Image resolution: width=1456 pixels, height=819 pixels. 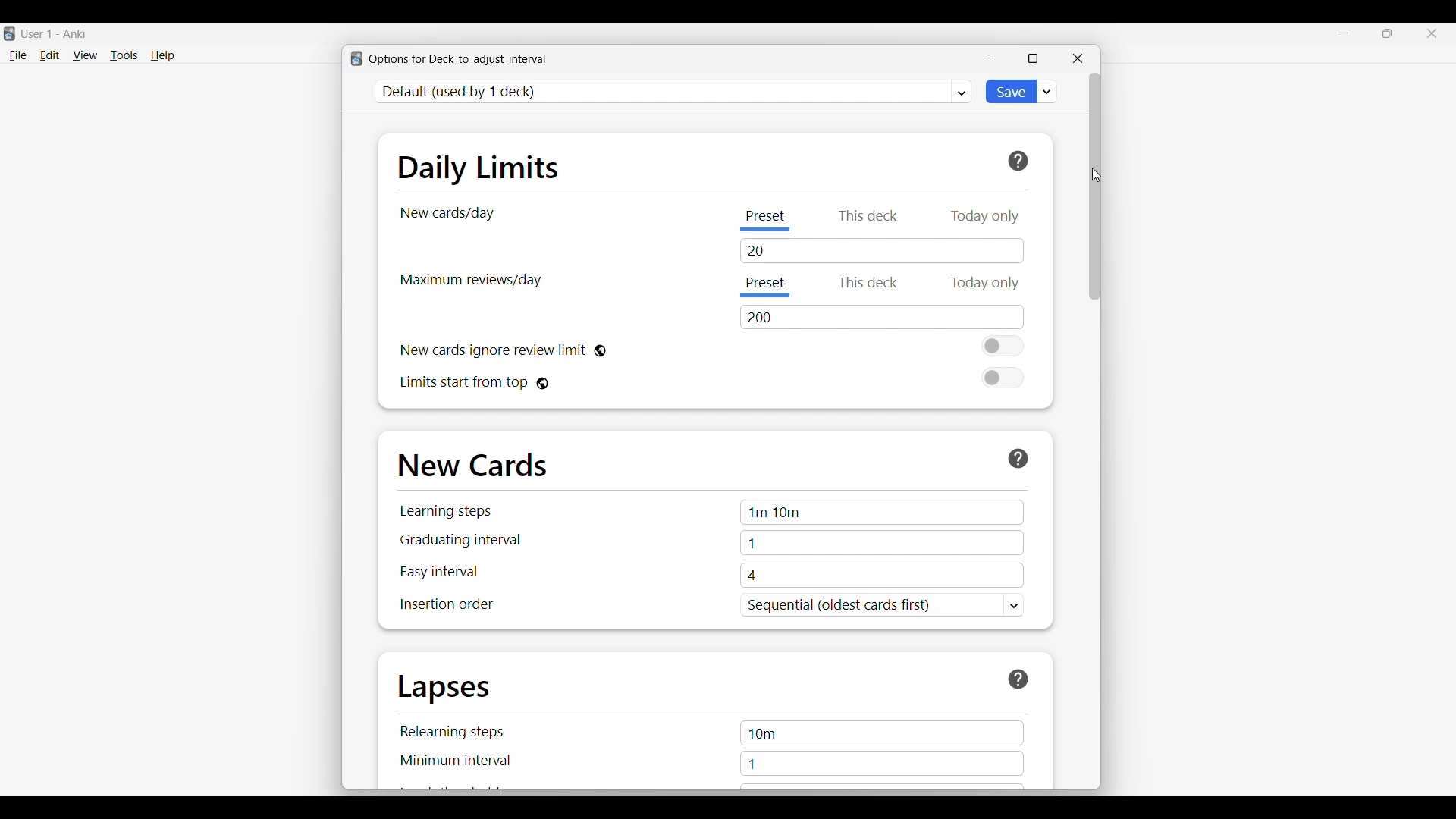 What do you see at coordinates (9, 33) in the screenshot?
I see `Software logo` at bounding box center [9, 33].